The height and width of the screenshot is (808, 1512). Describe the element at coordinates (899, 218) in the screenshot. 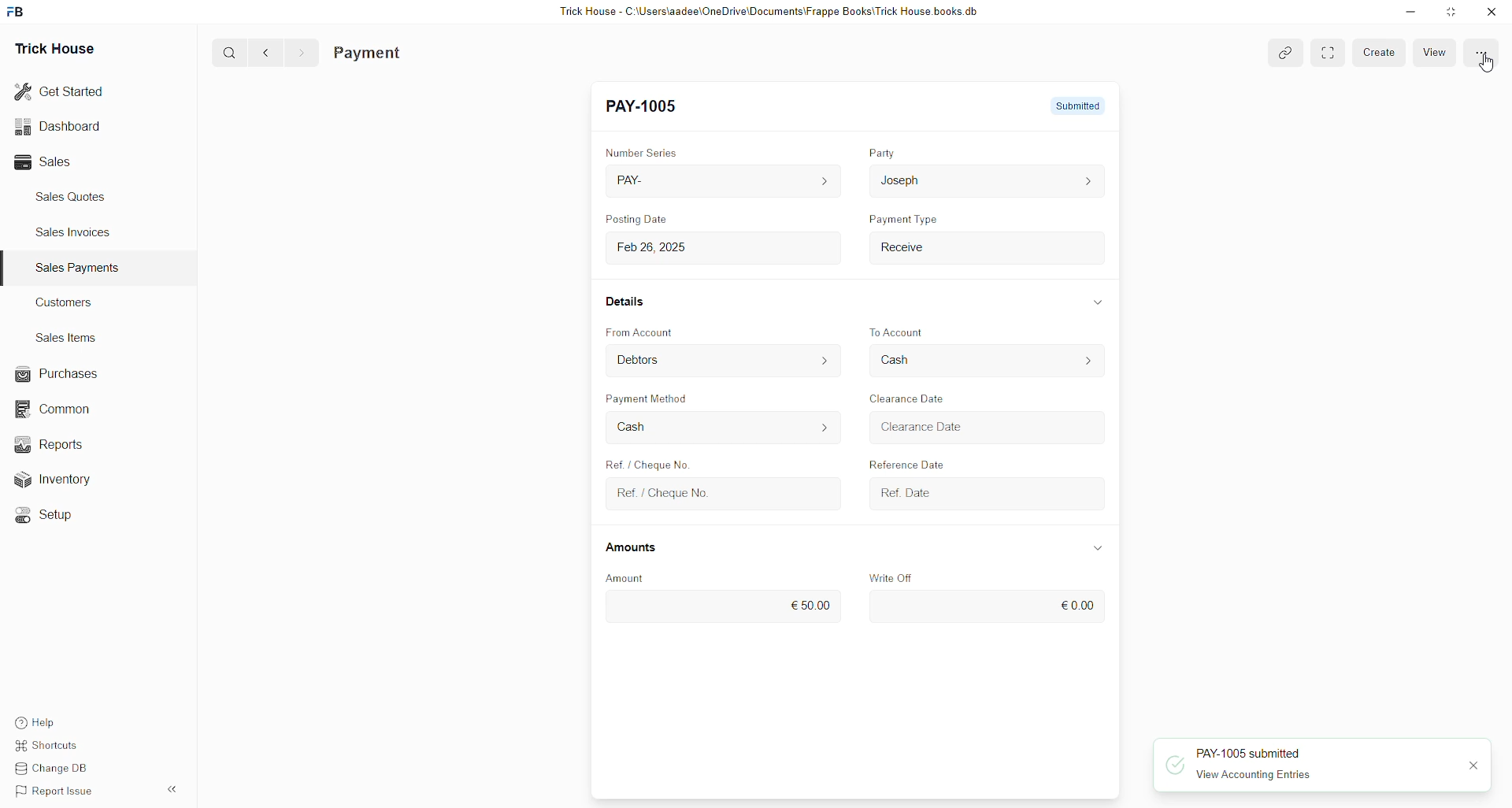

I see `Payment Type` at that location.